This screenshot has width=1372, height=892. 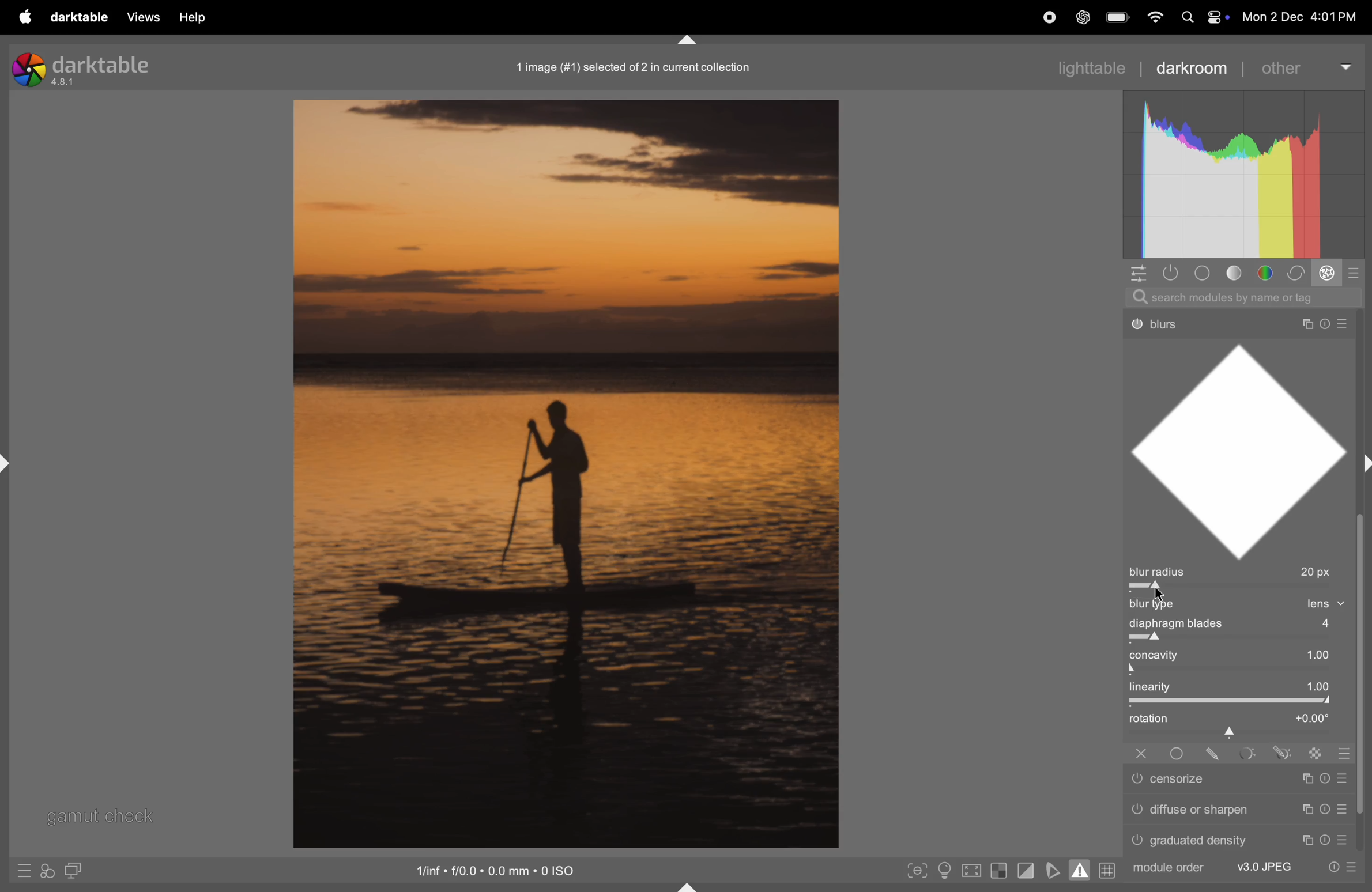 What do you see at coordinates (49, 870) in the screenshot?
I see `acces to filters` at bounding box center [49, 870].